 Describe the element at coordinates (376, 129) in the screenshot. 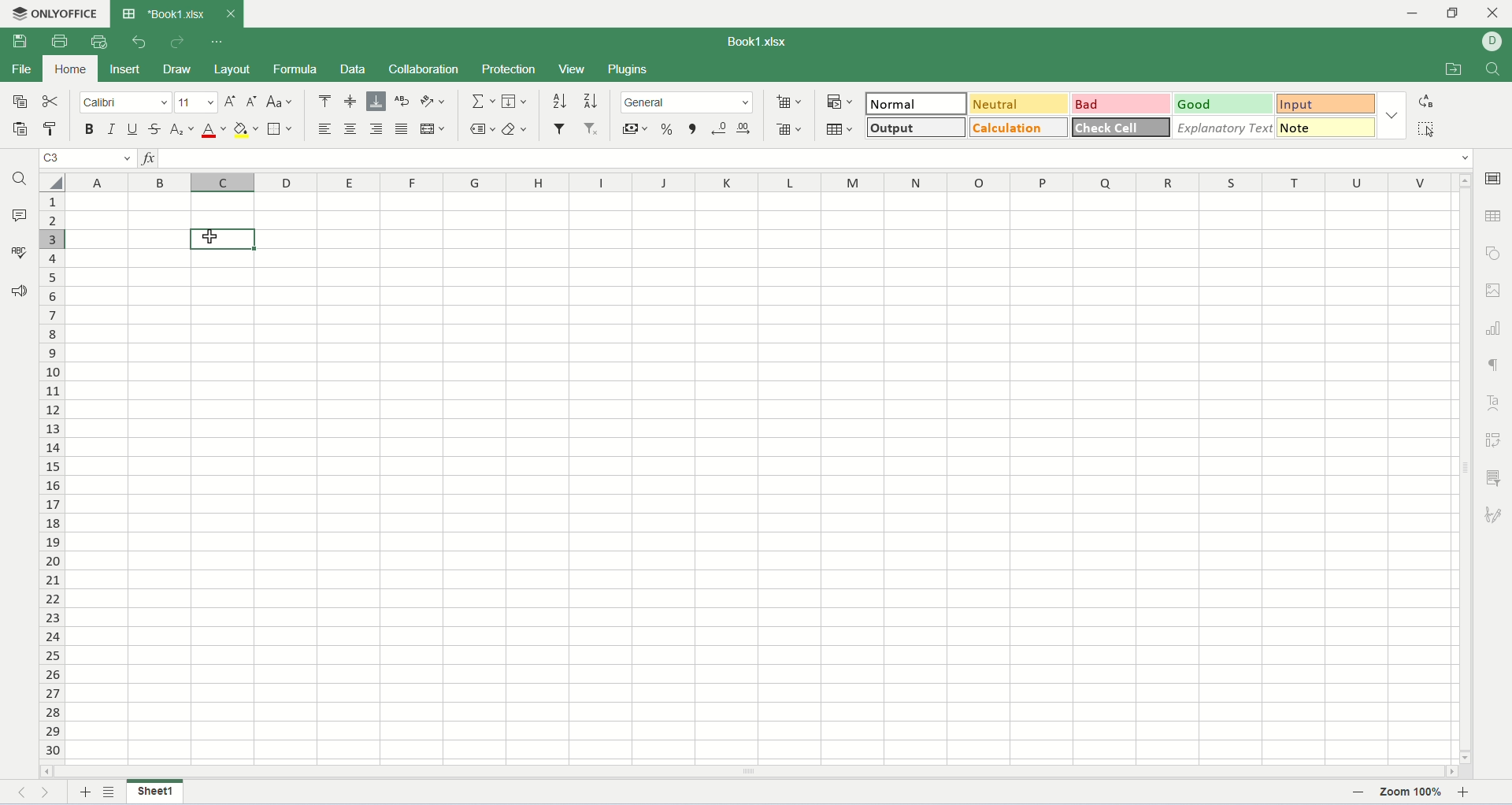

I see `align right` at that location.